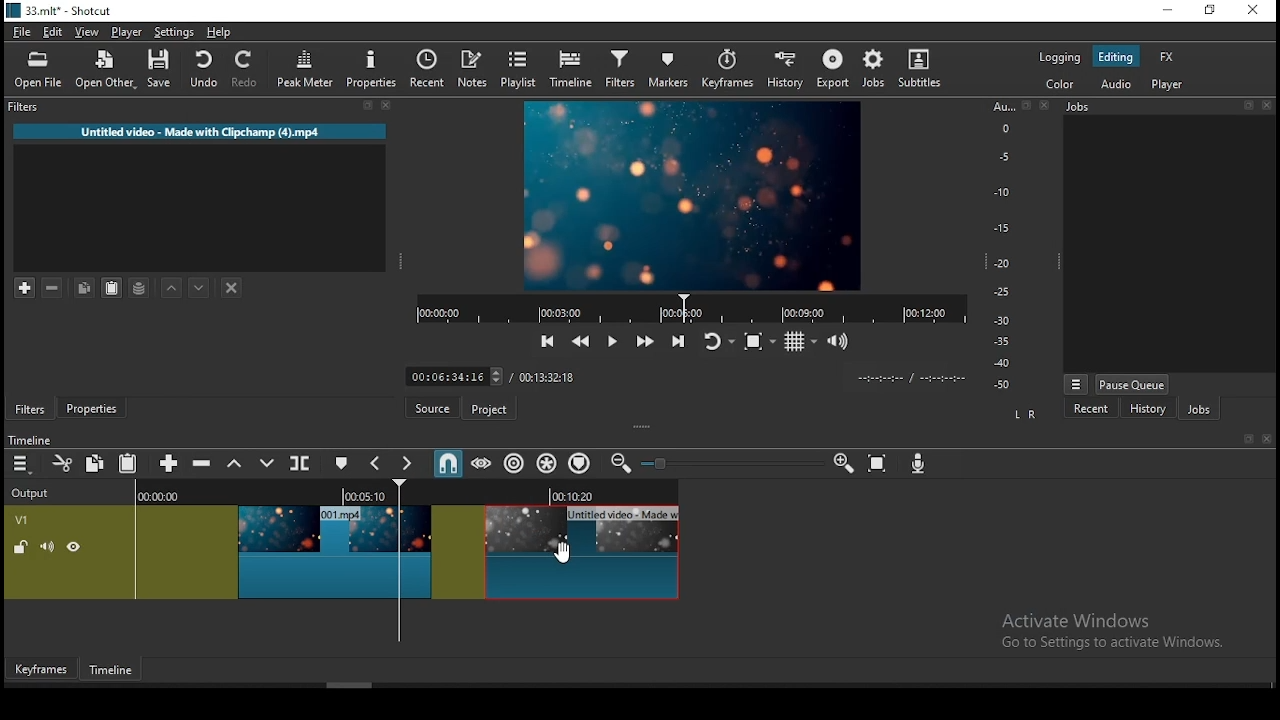 The width and height of the screenshot is (1280, 720). I want to click on paste filter, so click(110, 287).